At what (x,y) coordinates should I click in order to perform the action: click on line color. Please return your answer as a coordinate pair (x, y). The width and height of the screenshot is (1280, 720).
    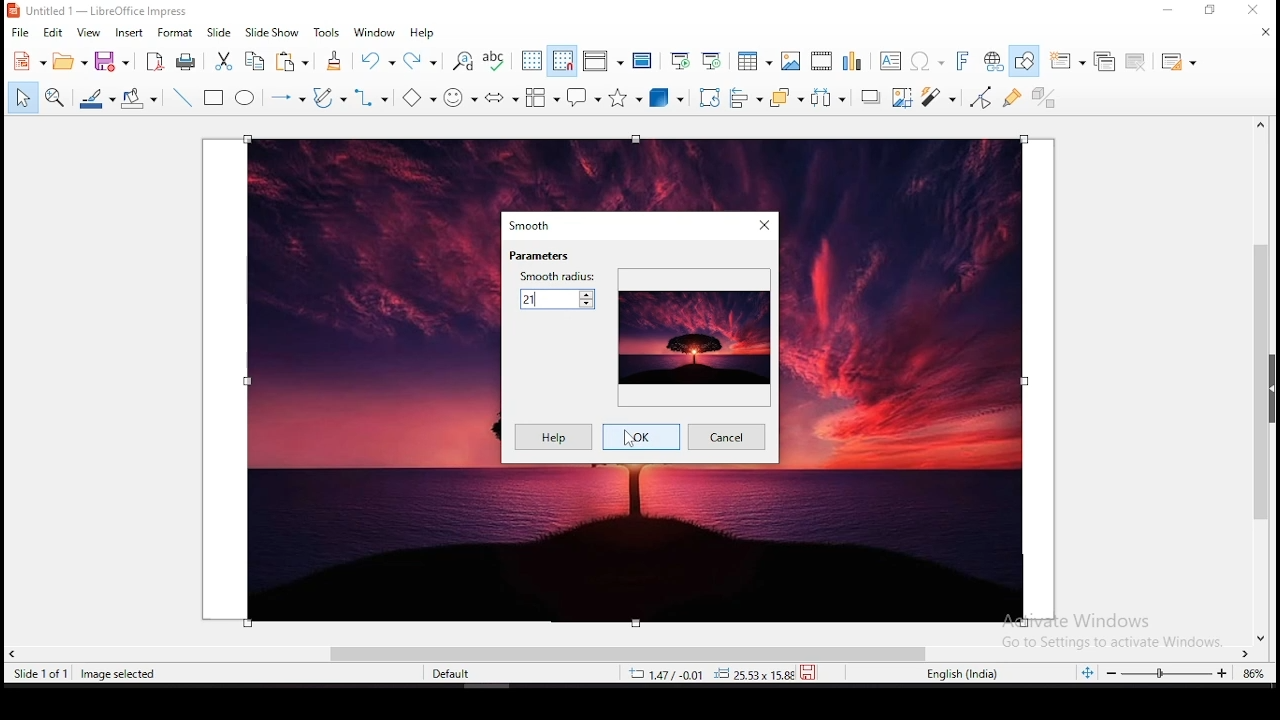
    Looking at the image, I should click on (97, 97).